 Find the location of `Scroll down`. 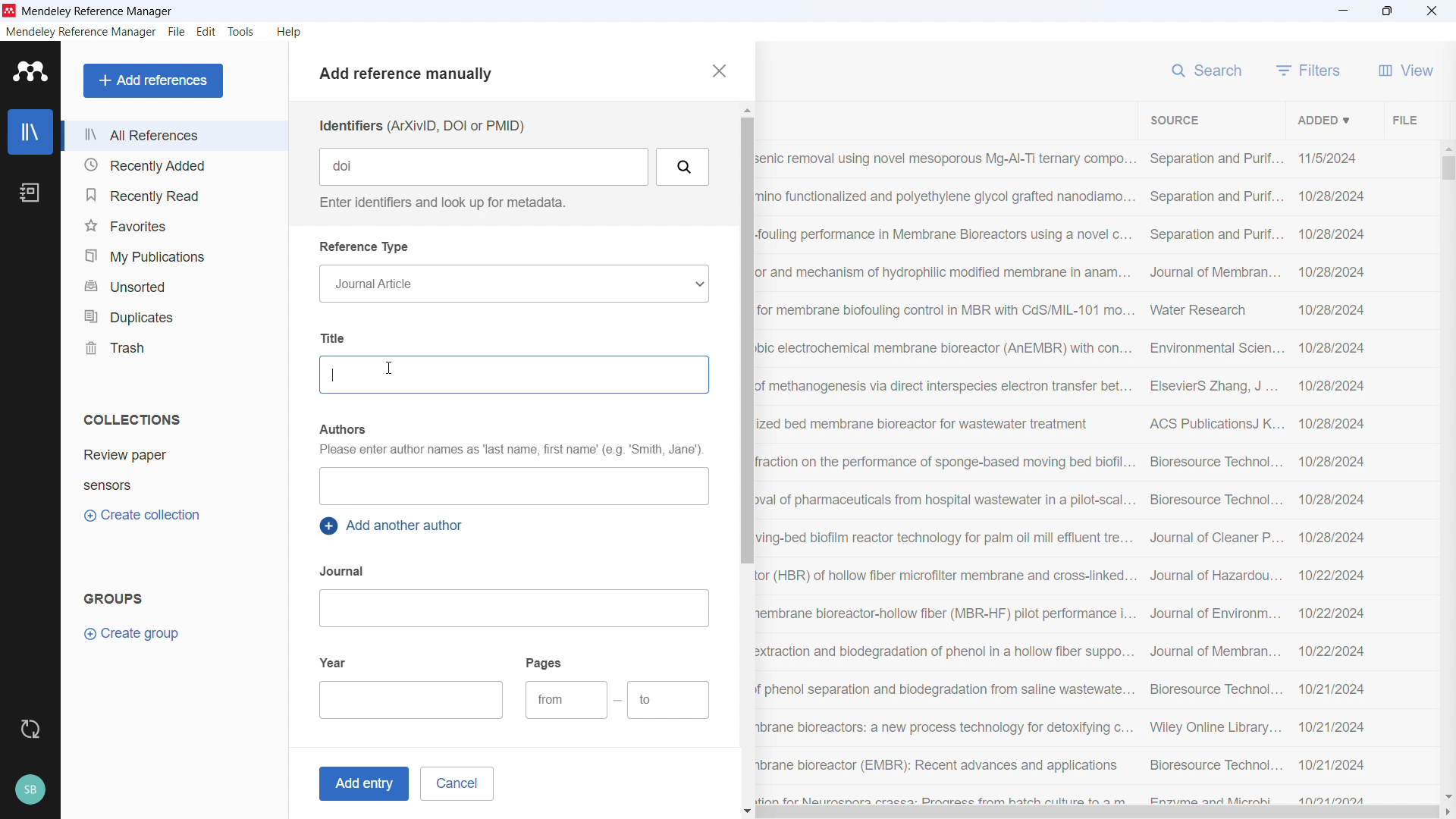

Scroll down is located at coordinates (748, 812).